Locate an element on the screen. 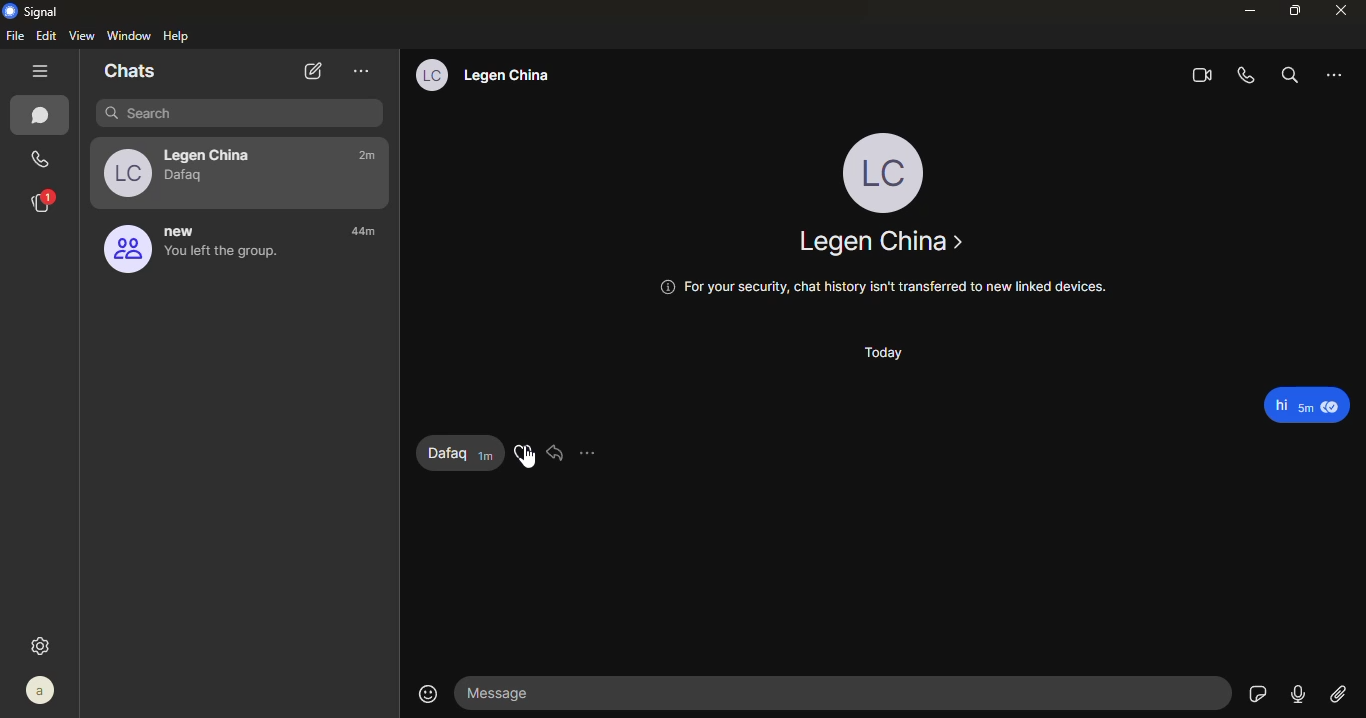  search is located at coordinates (242, 115).